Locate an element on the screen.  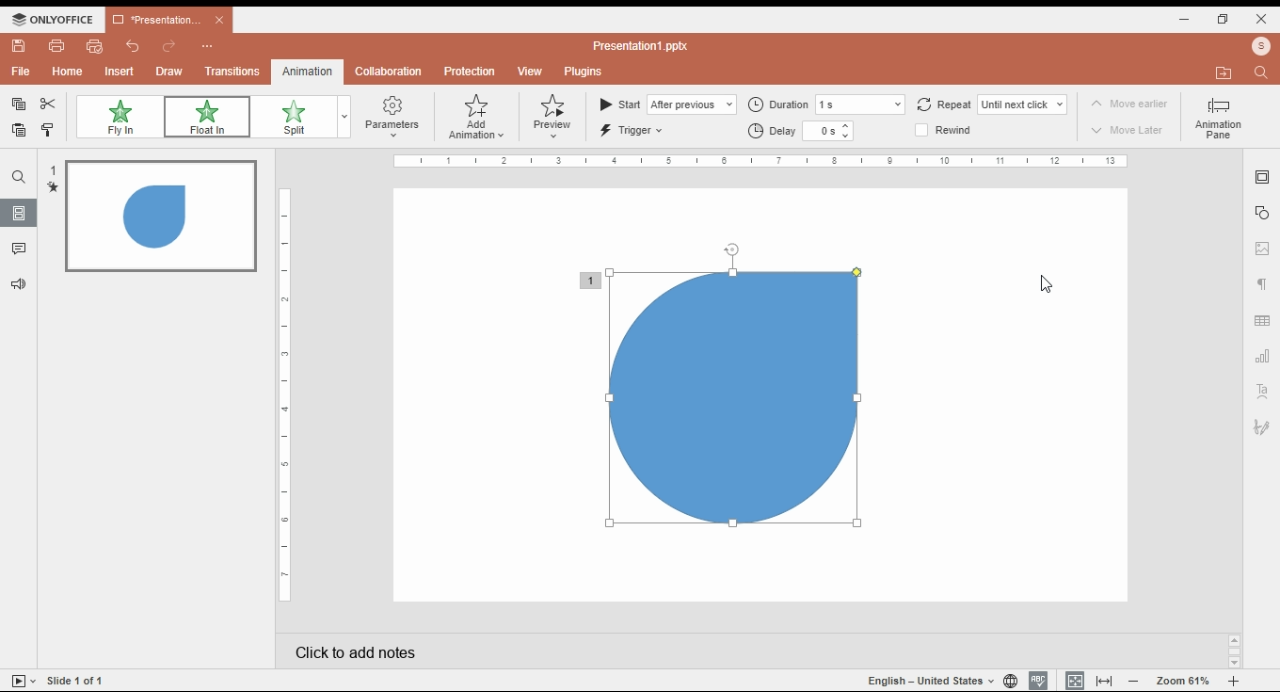
more is located at coordinates (207, 44).